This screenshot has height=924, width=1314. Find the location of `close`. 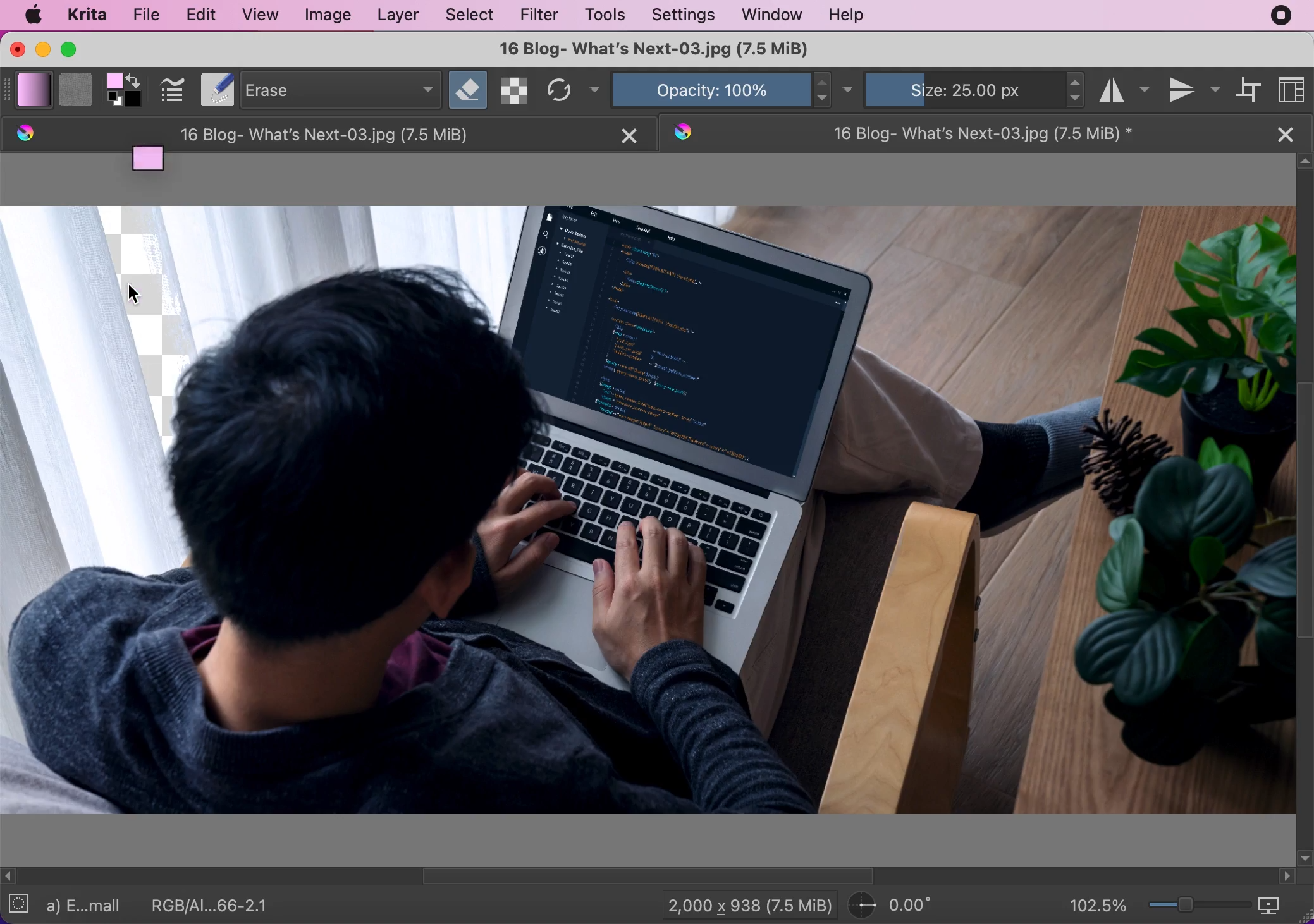

close is located at coordinates (629, 137).